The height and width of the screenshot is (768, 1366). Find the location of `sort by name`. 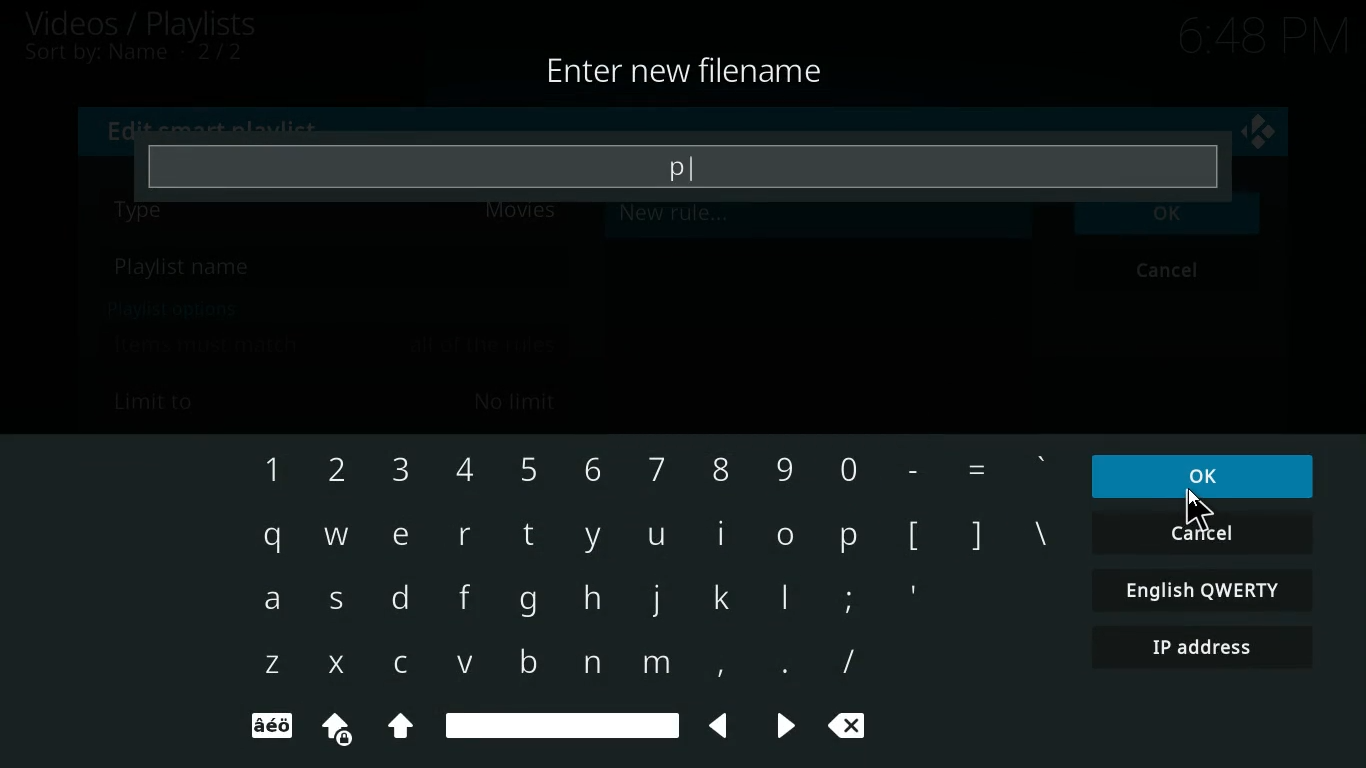

sort by name is located at coordinates (145, 55).